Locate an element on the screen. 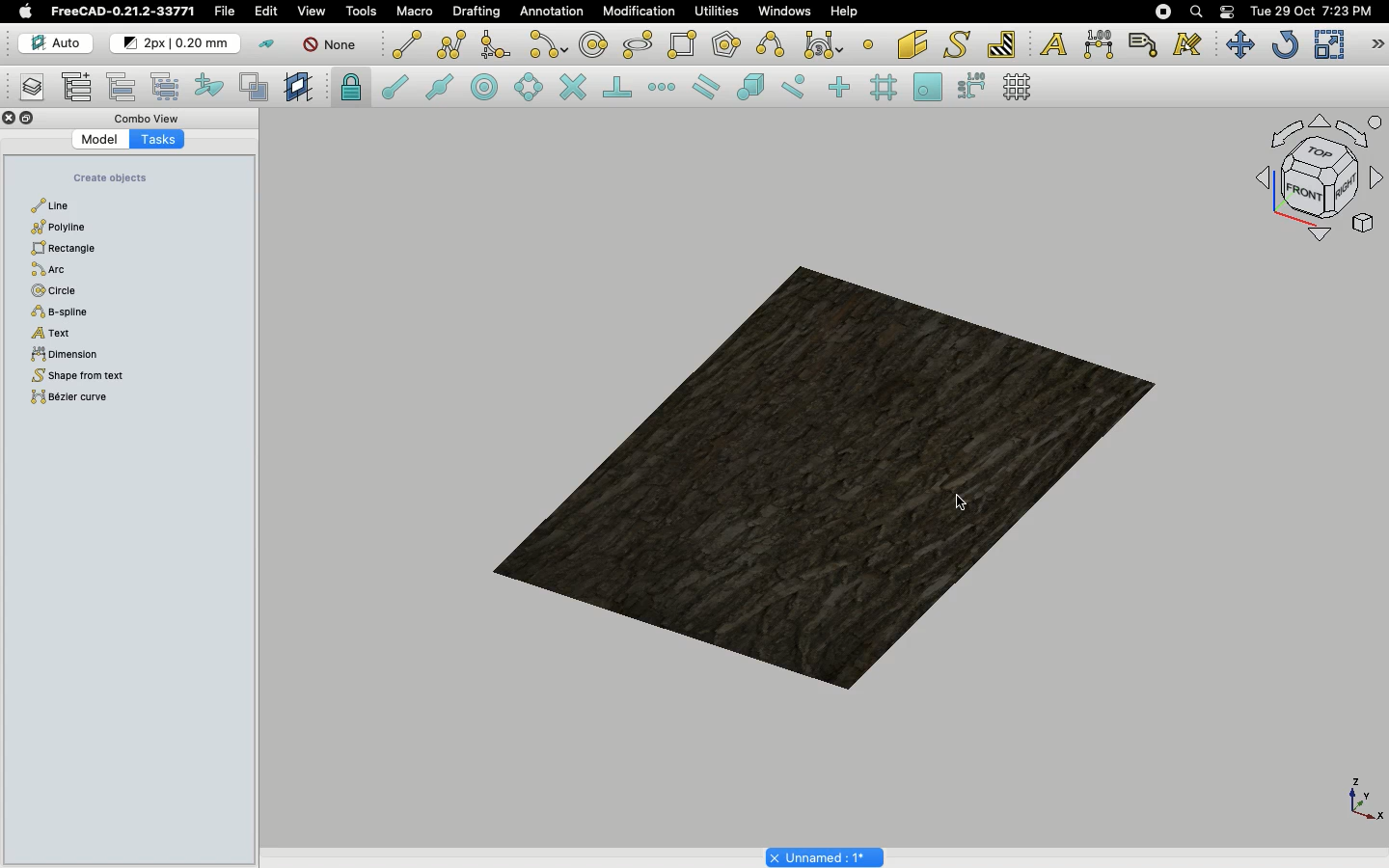  Toggle grid is located at coordinates (1023, 87).